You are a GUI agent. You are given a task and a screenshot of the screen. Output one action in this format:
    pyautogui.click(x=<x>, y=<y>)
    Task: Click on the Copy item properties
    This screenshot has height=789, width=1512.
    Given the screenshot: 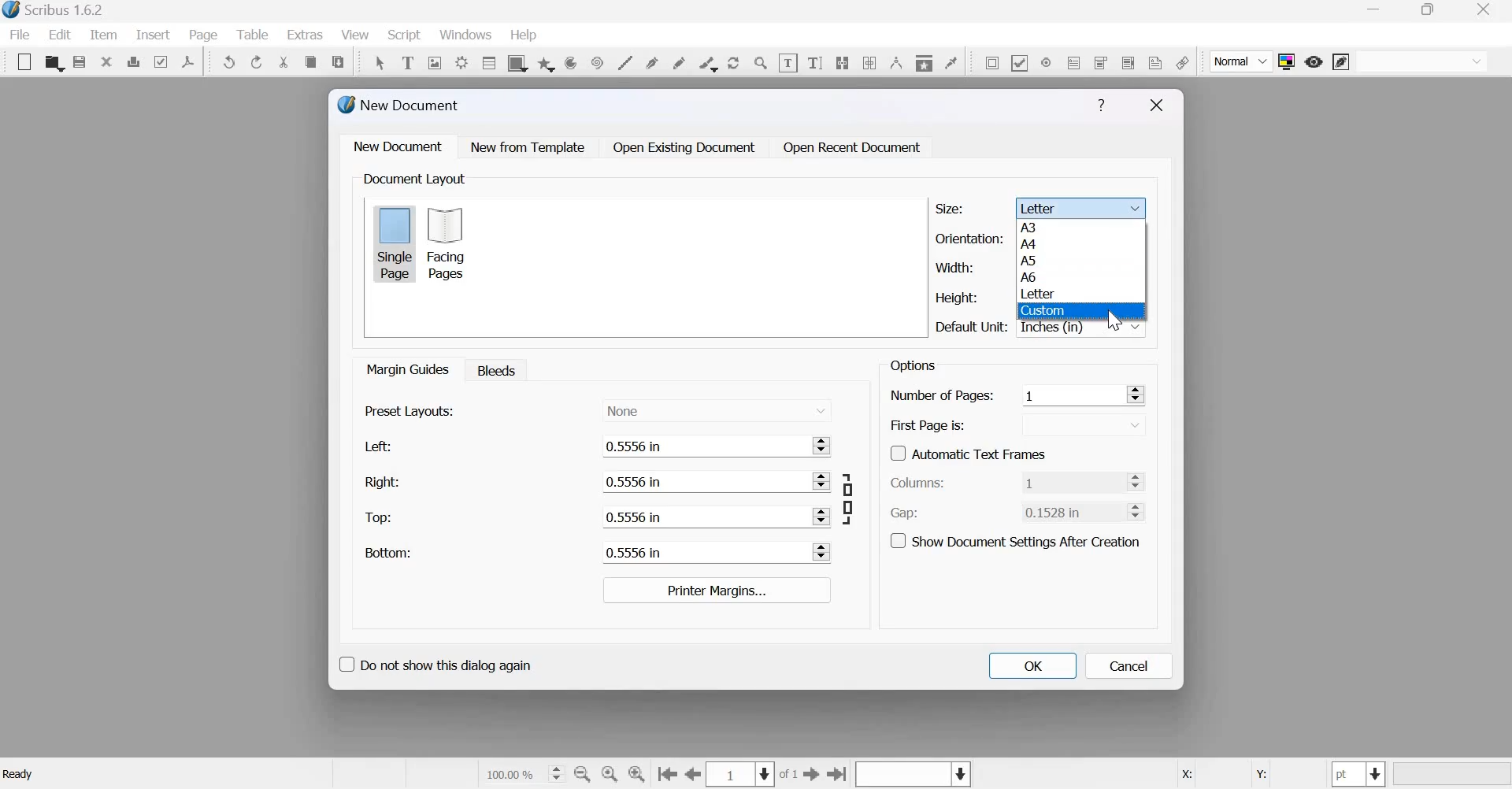 What is the action you would take?
    pyautogui.click(x=923, y=61)
    